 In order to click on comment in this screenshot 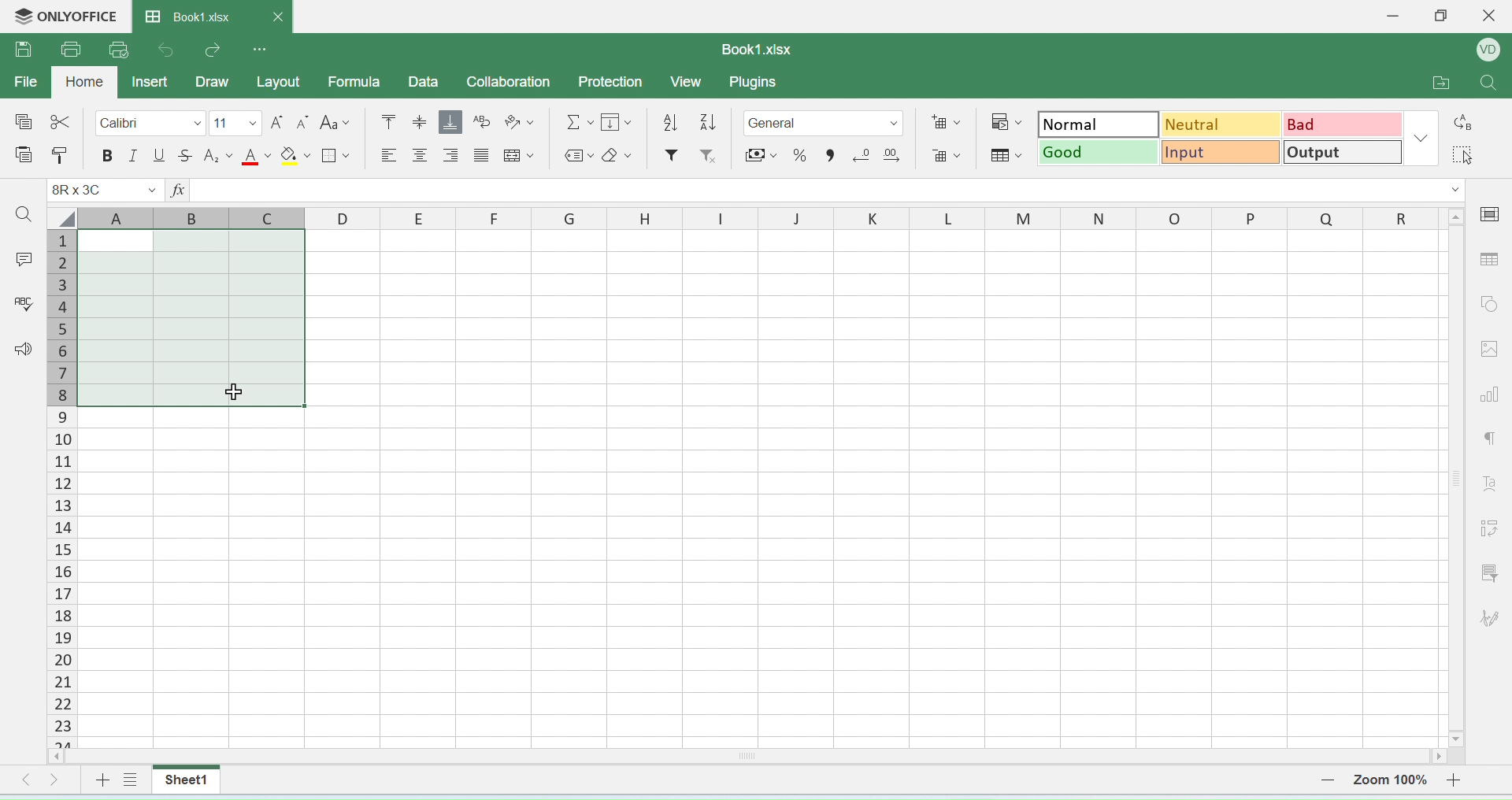, I will do `click(27, 257)`.